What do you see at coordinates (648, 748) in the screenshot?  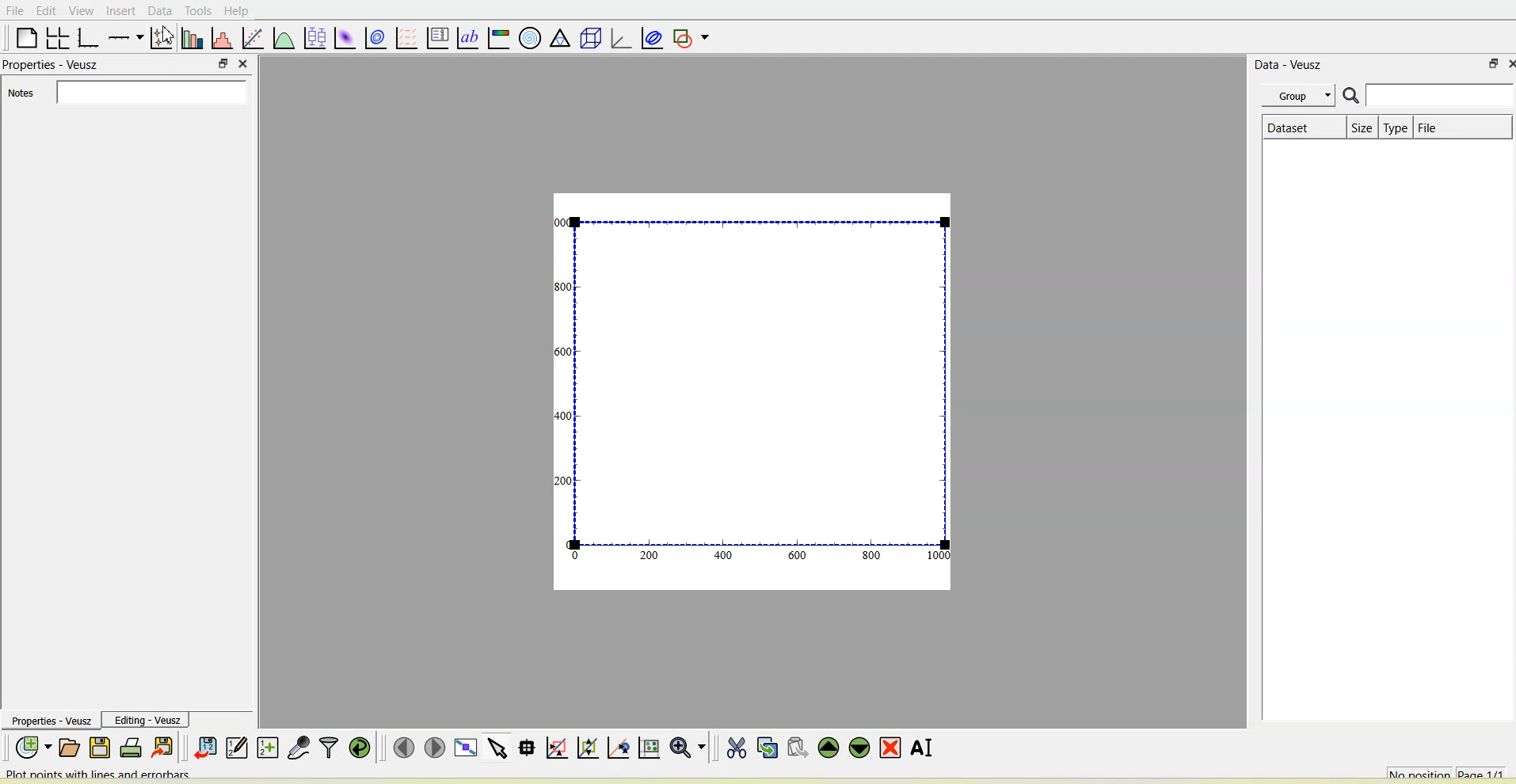 I see `Click to reset graph axes` at bounding box center [648, 748].